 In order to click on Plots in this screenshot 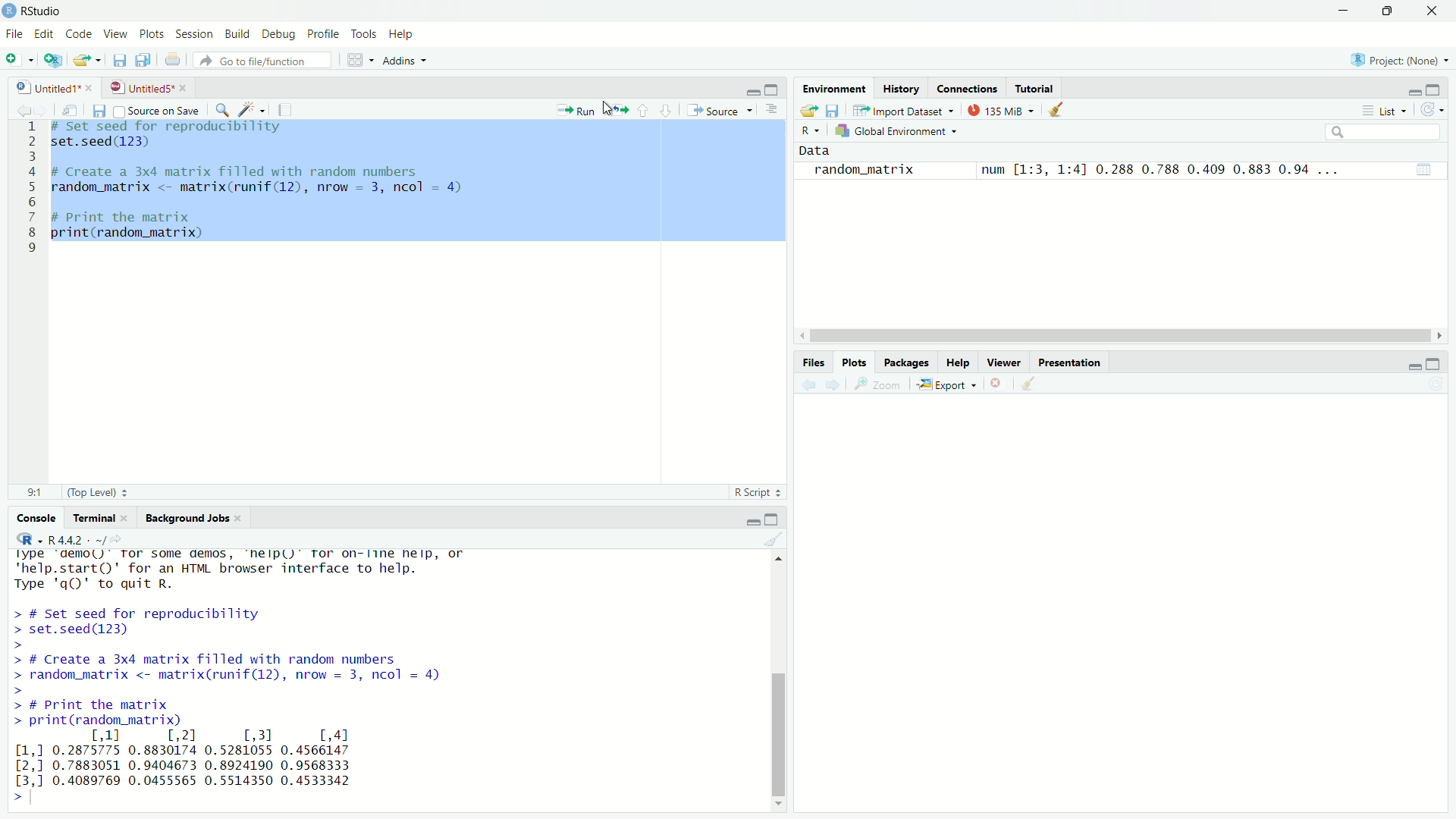, I will do `click(857, 365)`.